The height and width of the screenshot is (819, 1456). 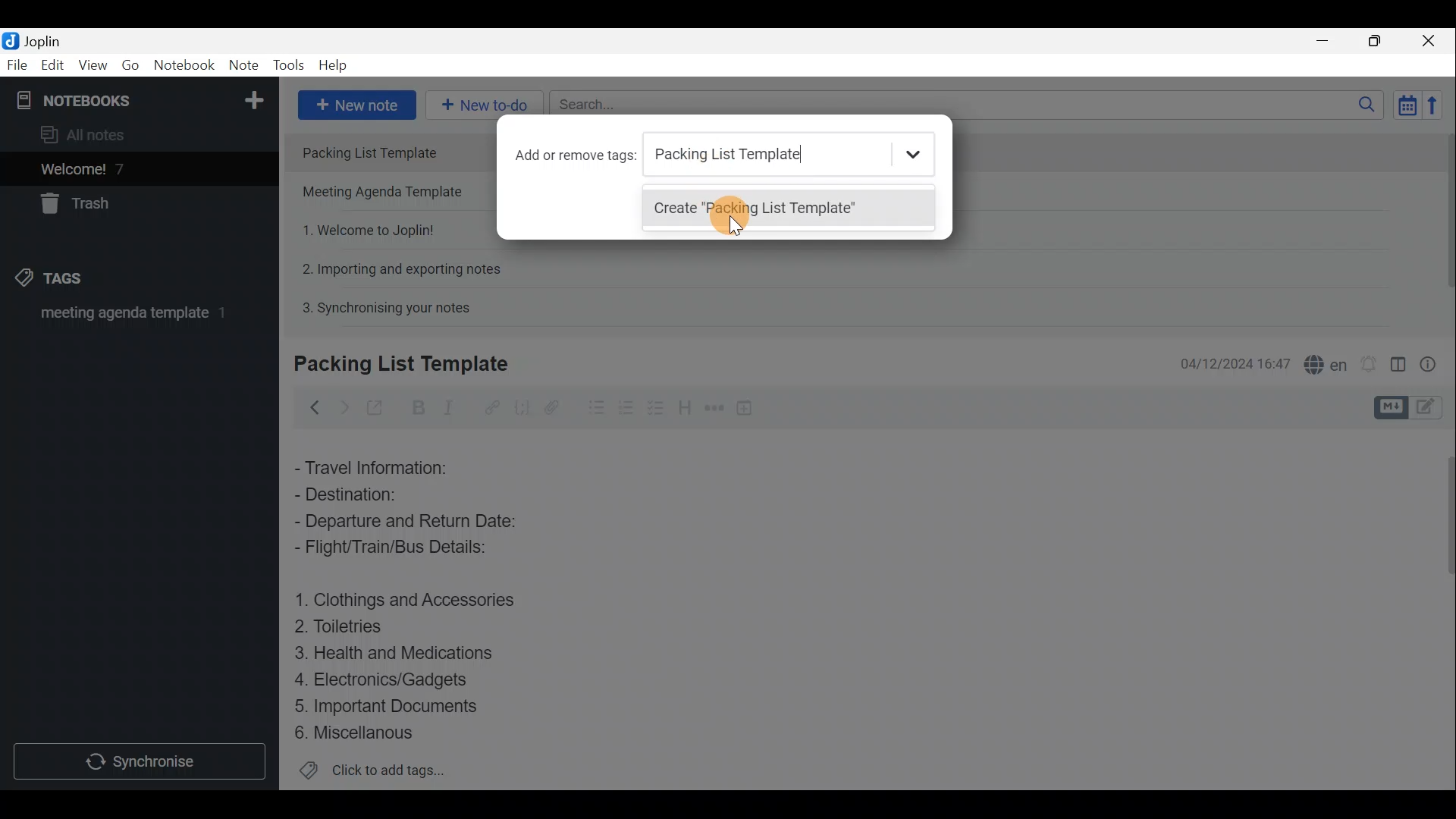 I want to click on Joplin, so click(x=36, y=40).